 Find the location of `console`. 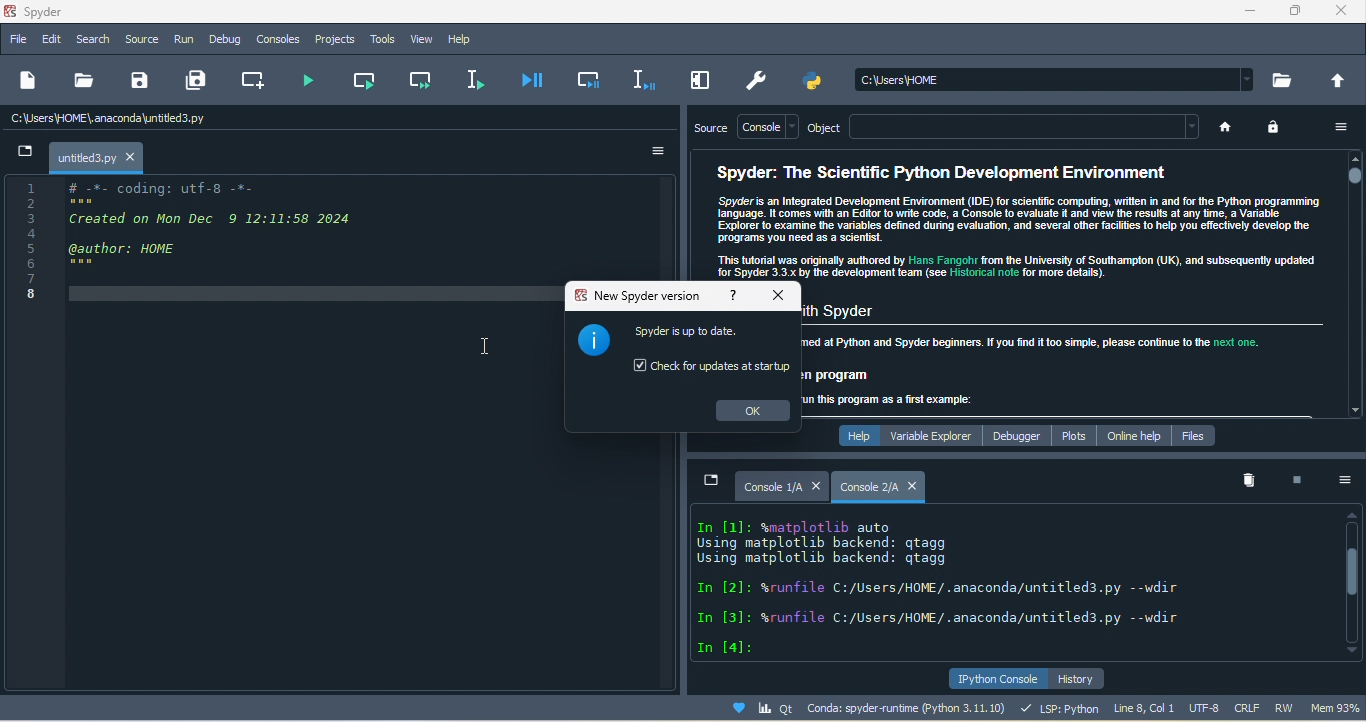

console is located at coordinates (768, 126).